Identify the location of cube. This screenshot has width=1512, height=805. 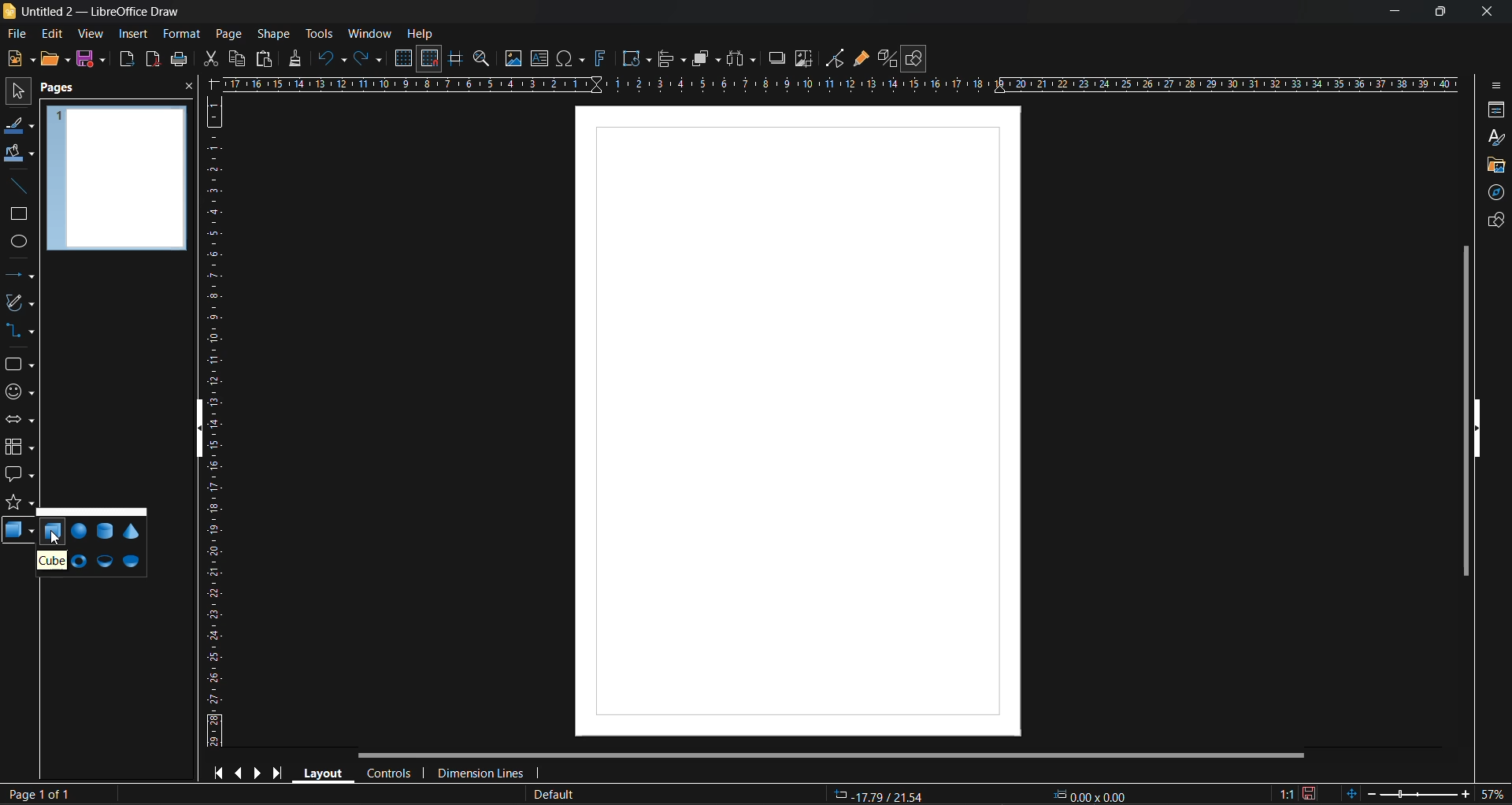
(52, 533).